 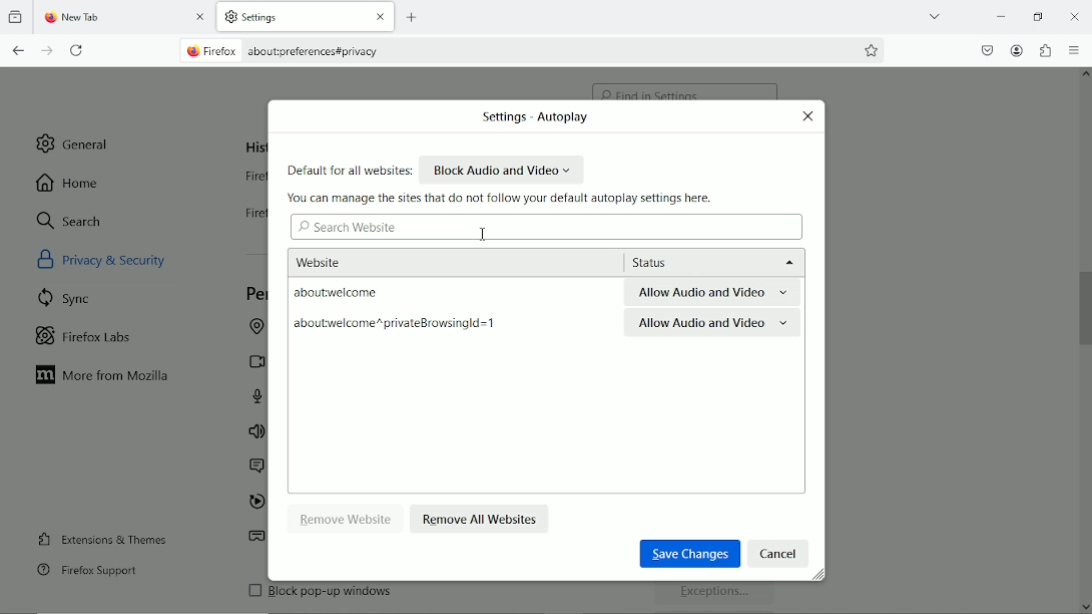 What do you see at coordinates (1075, 51) in the screenshot?
I see `Open application menu` at bounding box center [1075, 51].